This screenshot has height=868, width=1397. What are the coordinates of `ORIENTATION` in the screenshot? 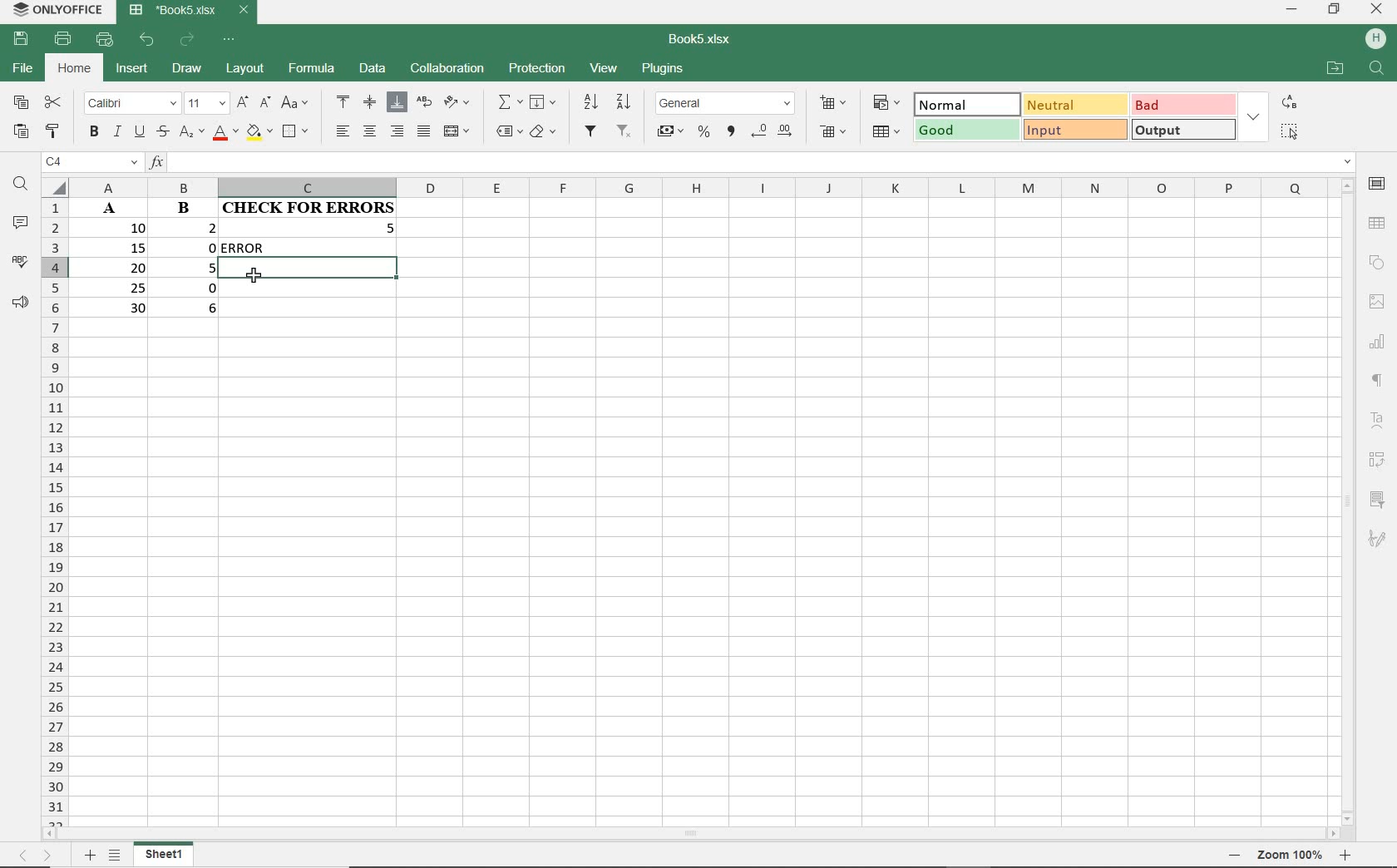 It's located at (457, 103).